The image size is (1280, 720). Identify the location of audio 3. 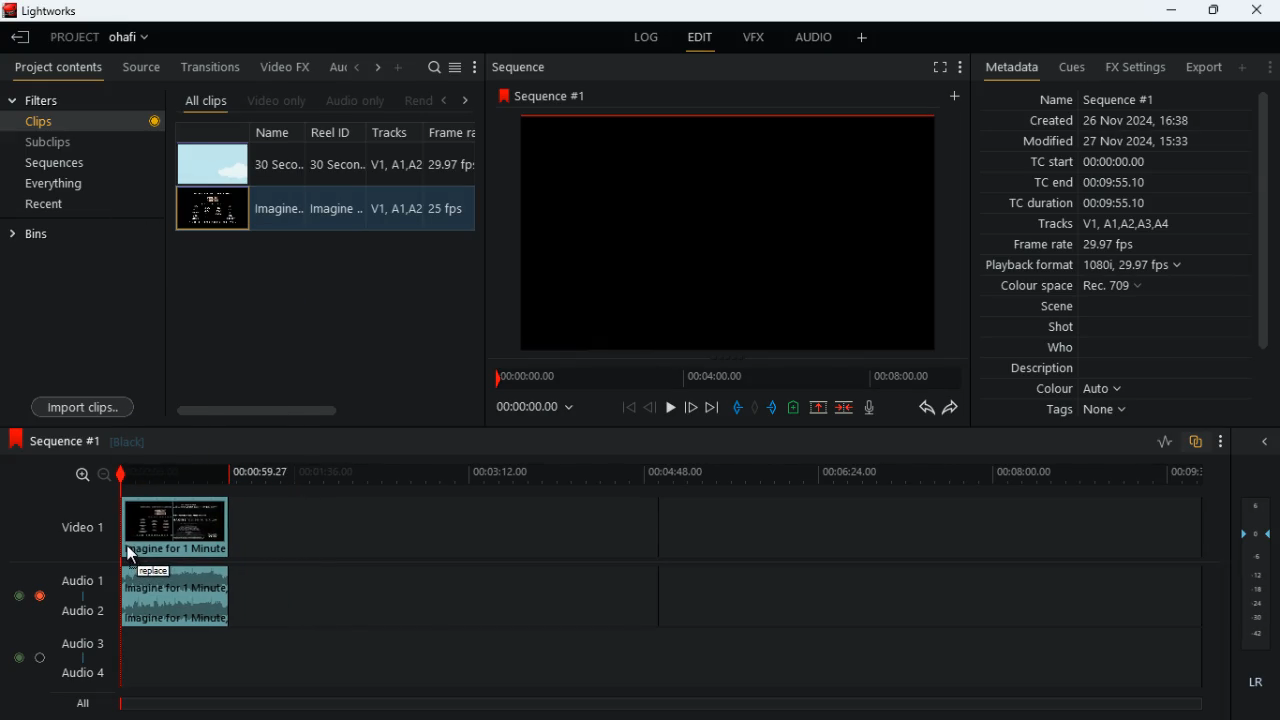
(84, 644).